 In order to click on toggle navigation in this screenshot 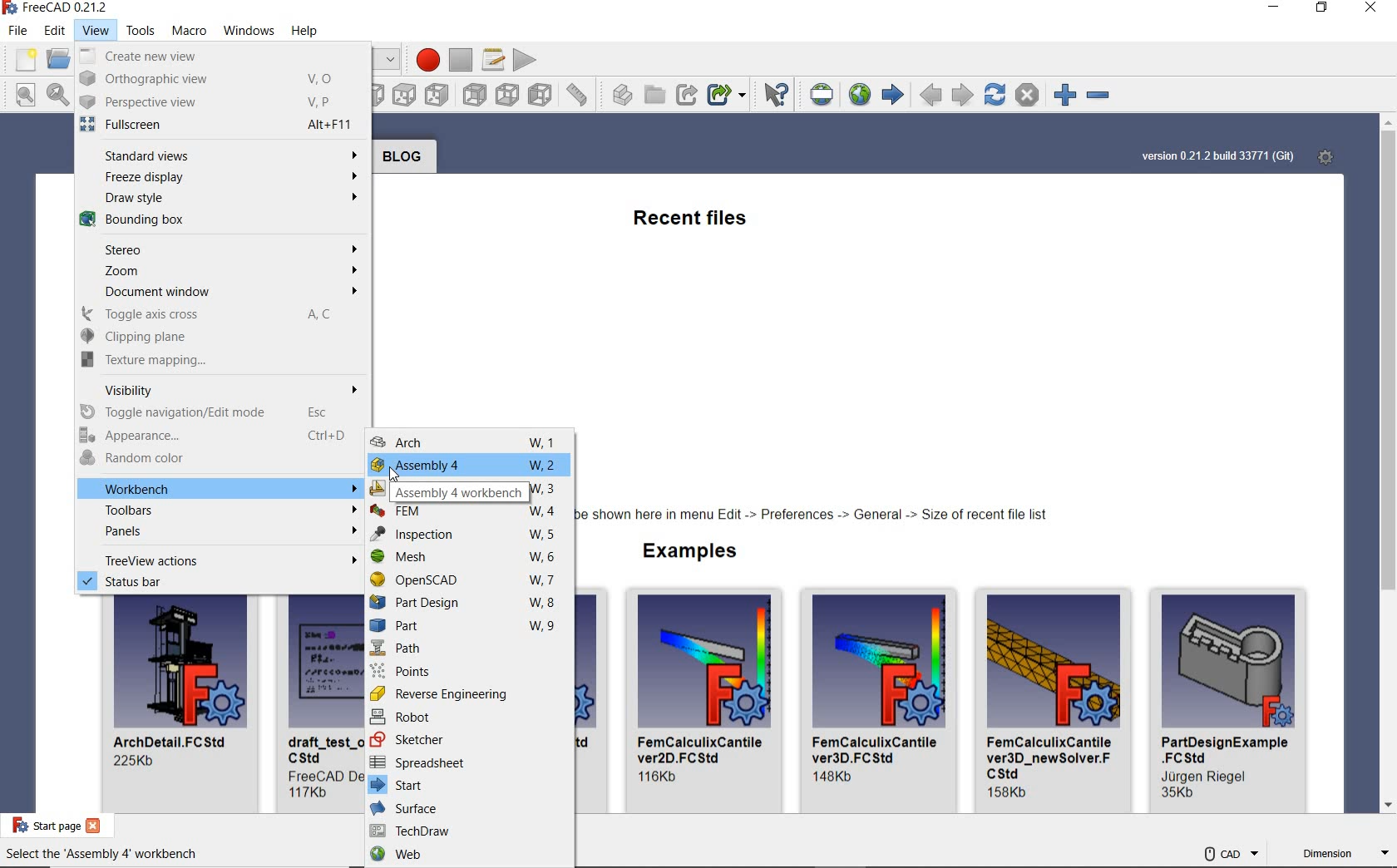, I will do `click(220, 412)`.